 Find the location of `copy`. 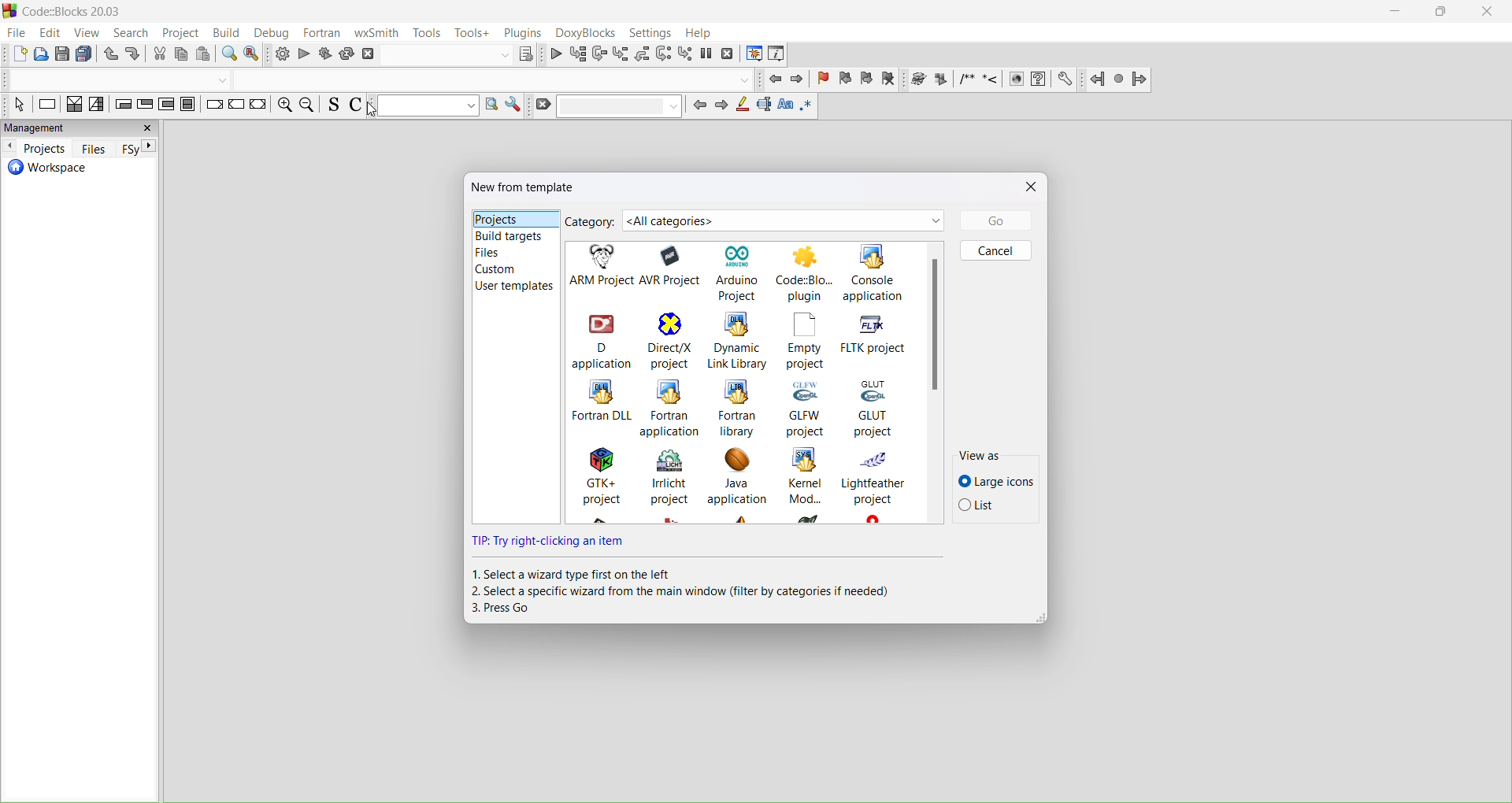

copy is located at coordinates (63, 53).